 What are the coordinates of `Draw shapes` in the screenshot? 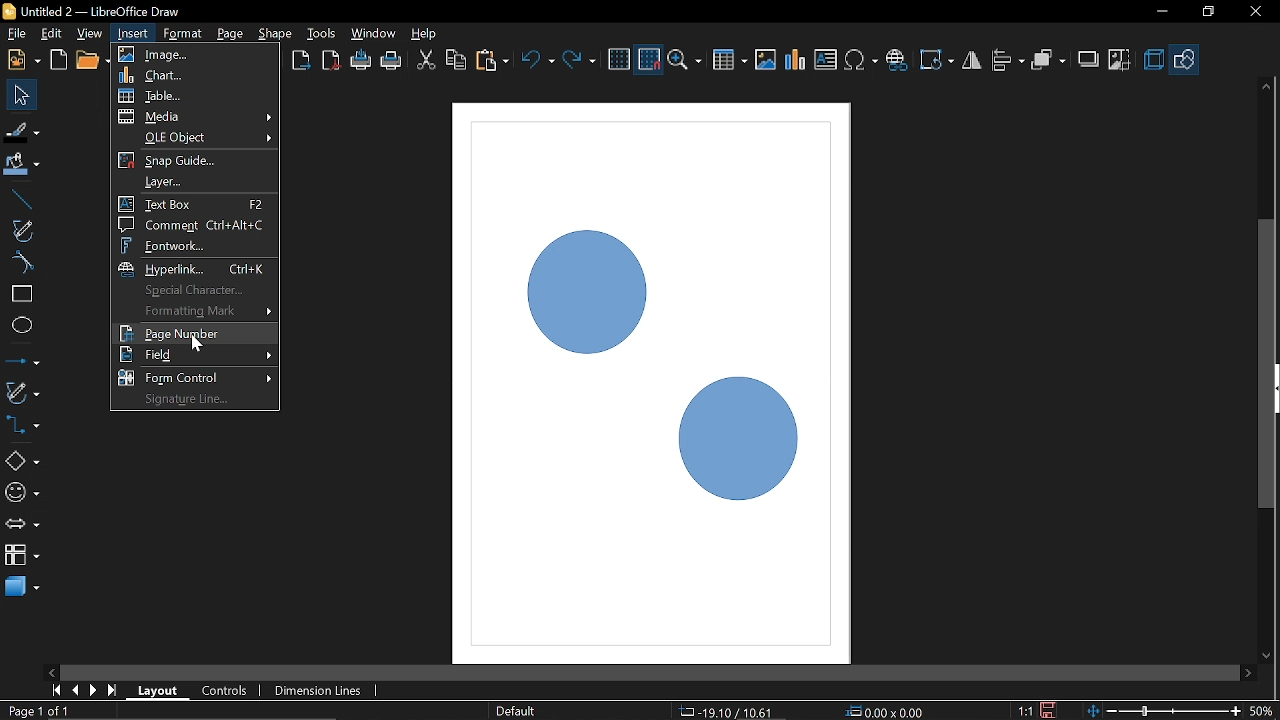 It's located at (1185, 60).